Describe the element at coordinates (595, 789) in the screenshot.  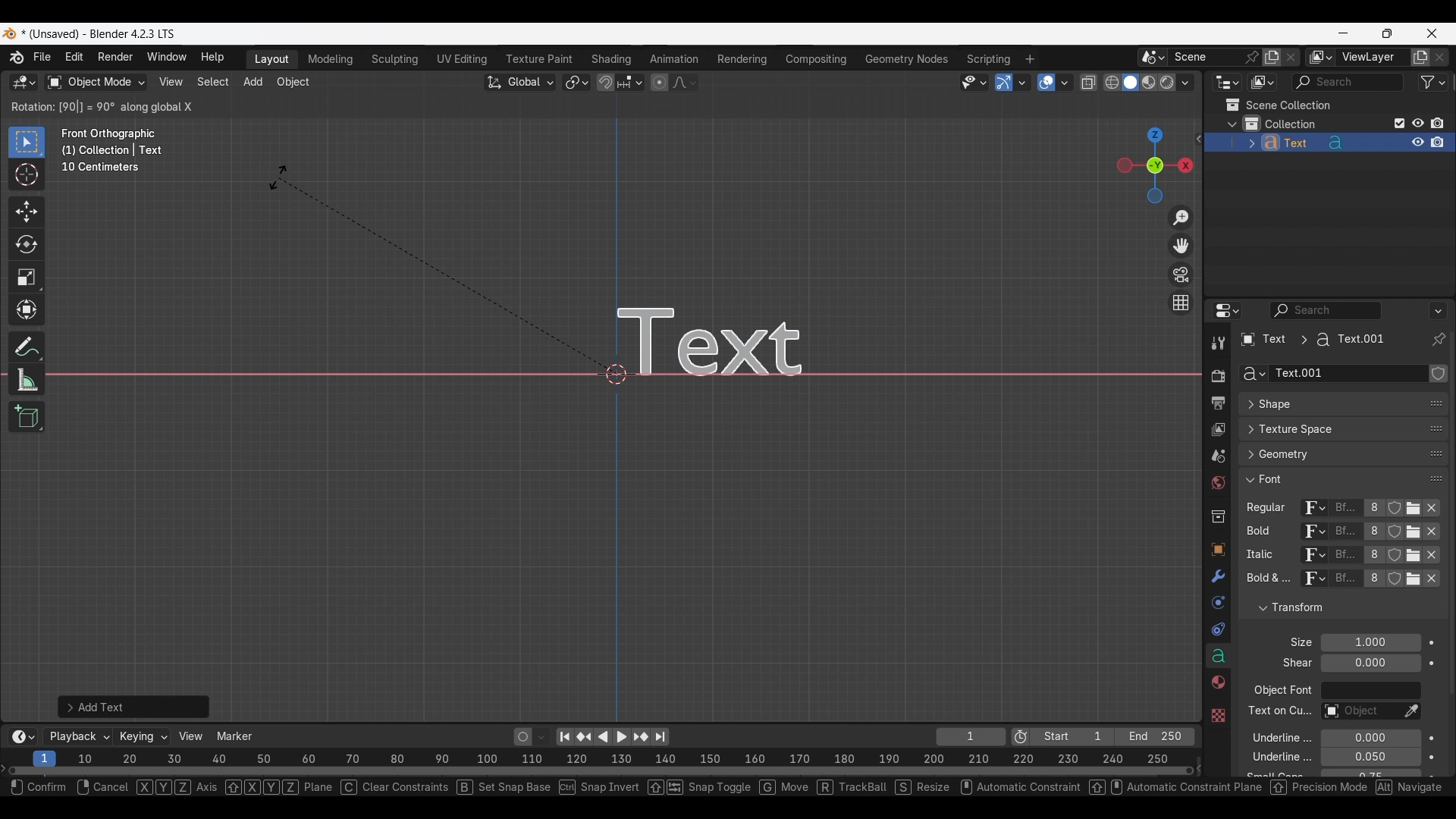
I see `snap` at that location.